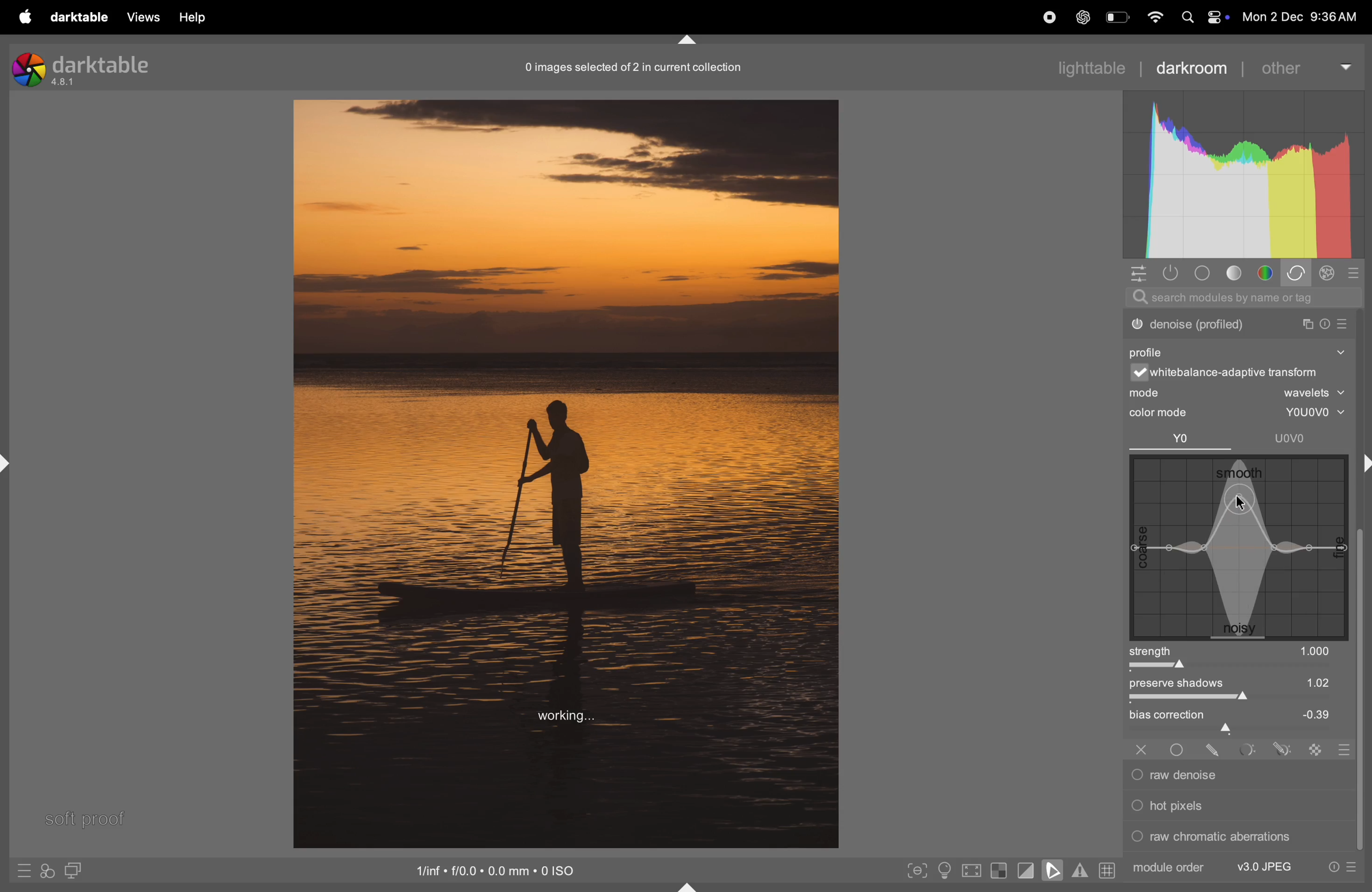 The image size is (1372, 892). What do you see at coordinates (1235, 274) in the screenshot?
I see `tone` at bounding box center [1235, 274].